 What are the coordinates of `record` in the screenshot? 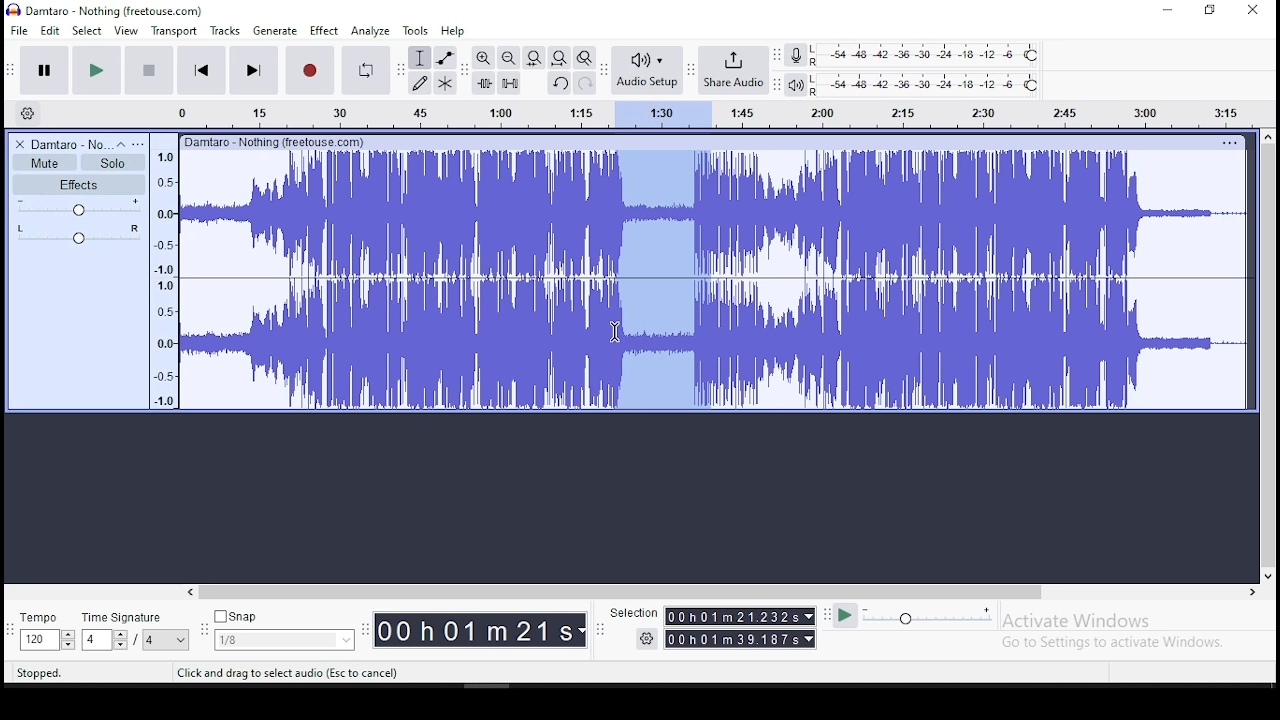 It's located at (308, 70).